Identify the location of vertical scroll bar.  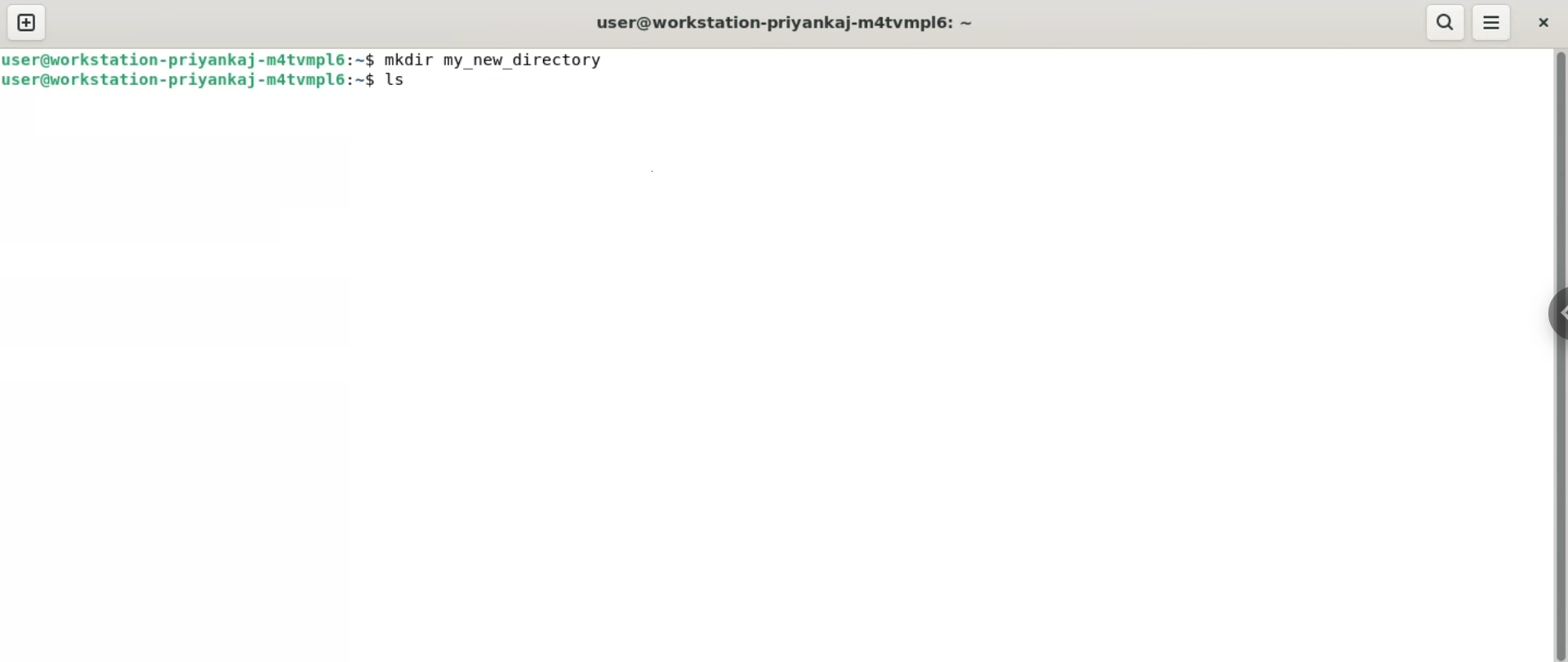
(1558, 356).